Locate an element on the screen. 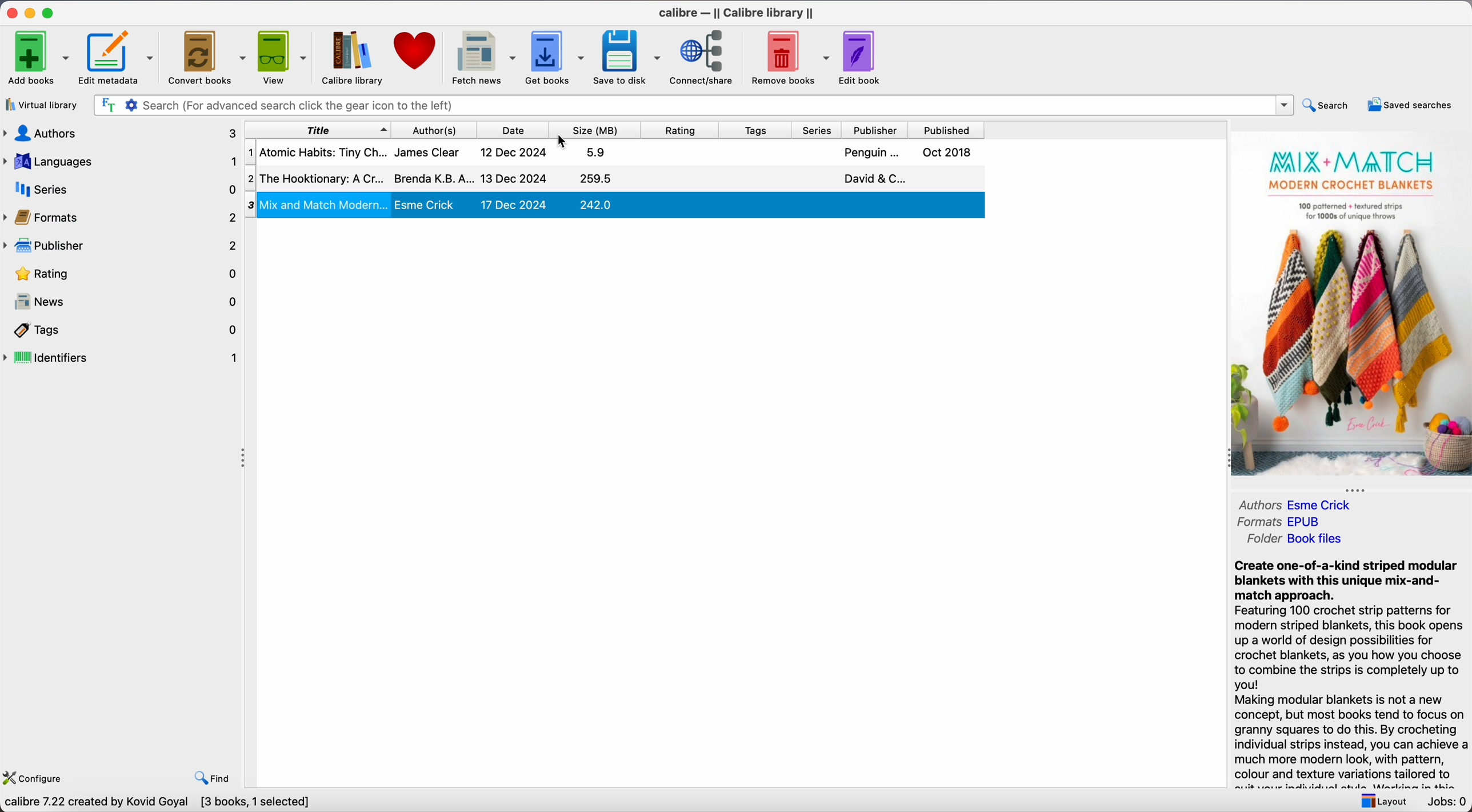 The image size is (1472, 812). Mix and Match Modern... is located at coordinates (622, 203).